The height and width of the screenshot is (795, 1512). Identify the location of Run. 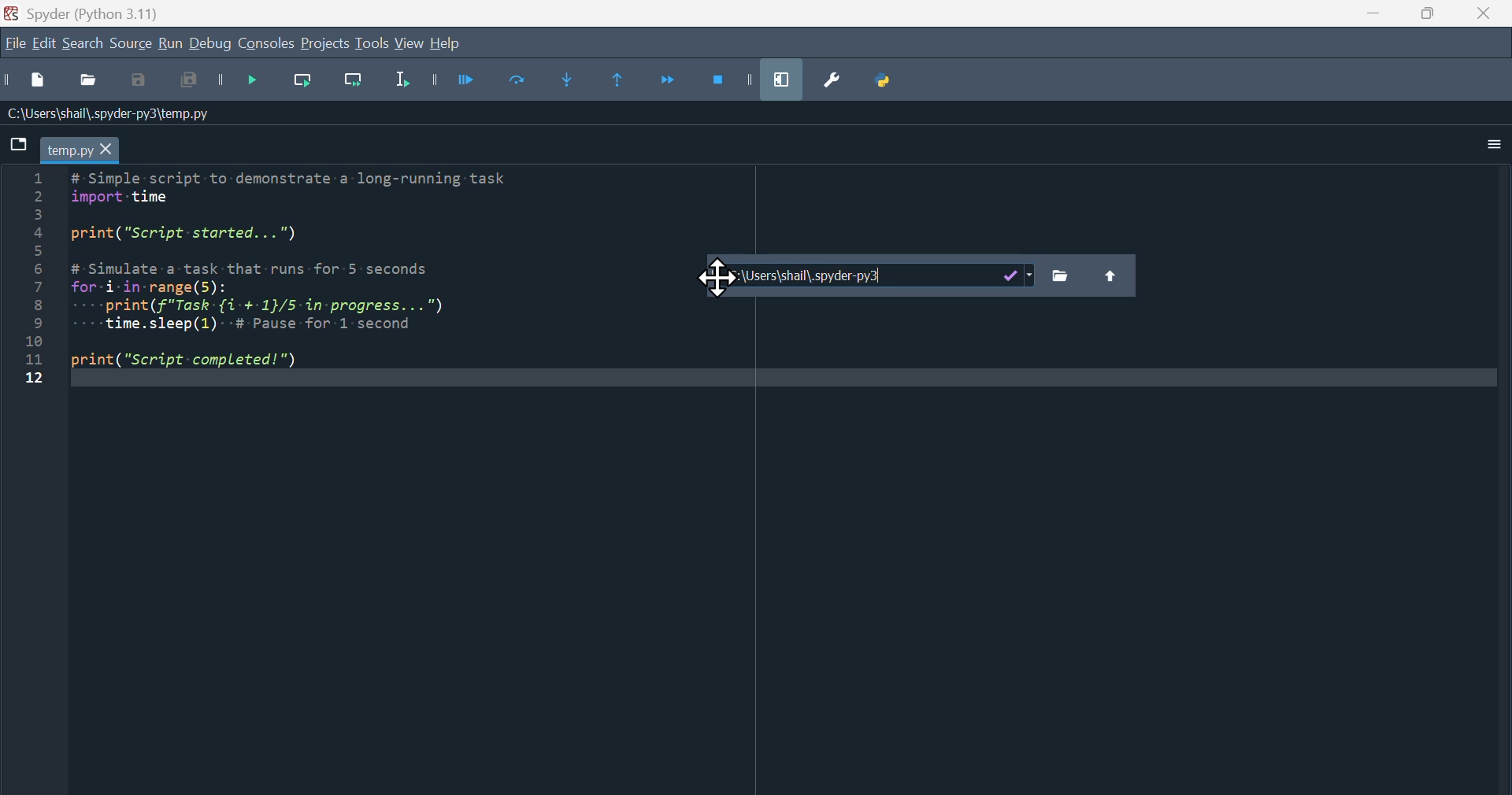
(169, 44).